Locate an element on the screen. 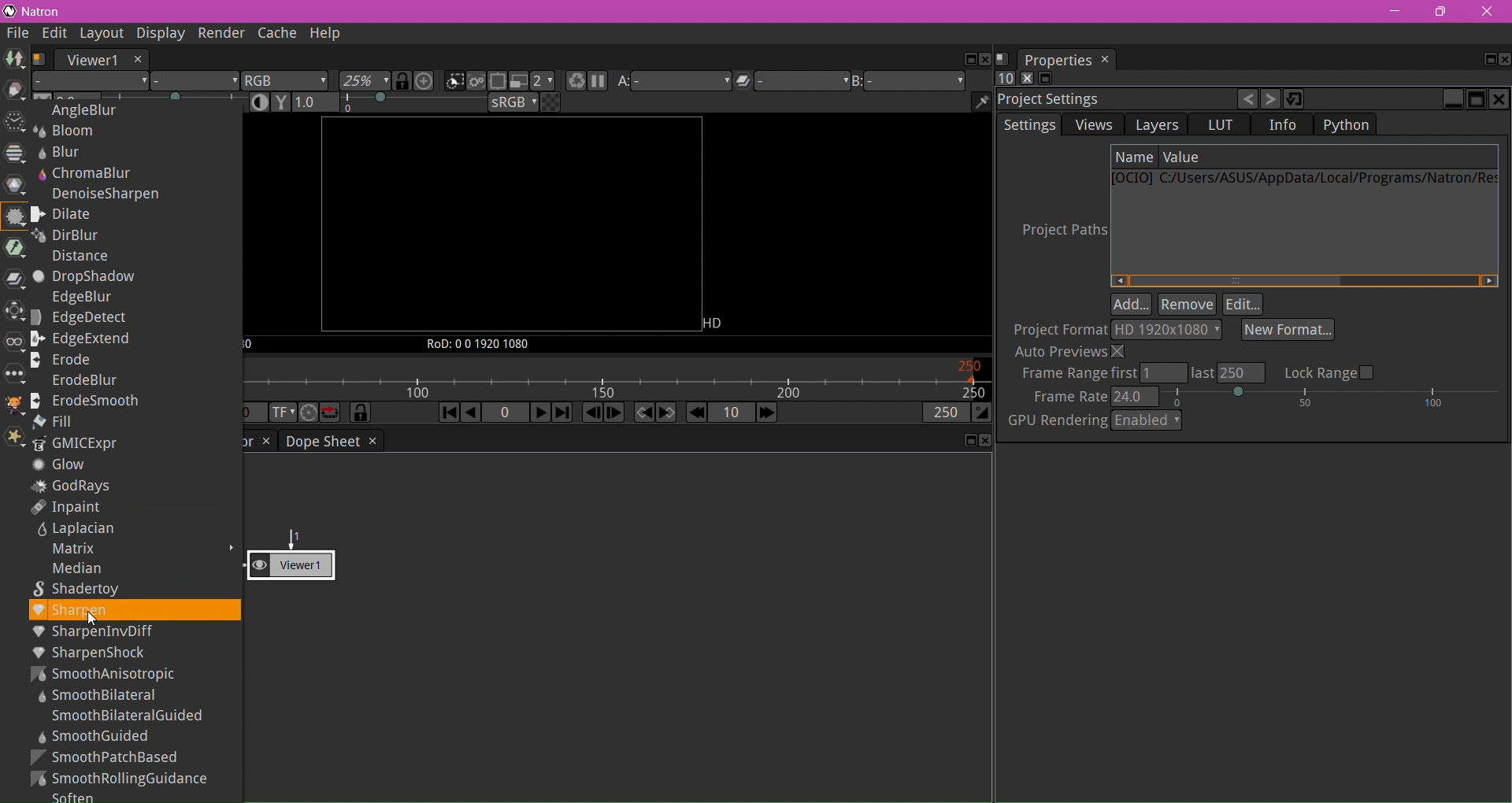 Image resolution: width=1512 pixels, height=803 pixels. Filter is located at coordinates (15, 218).